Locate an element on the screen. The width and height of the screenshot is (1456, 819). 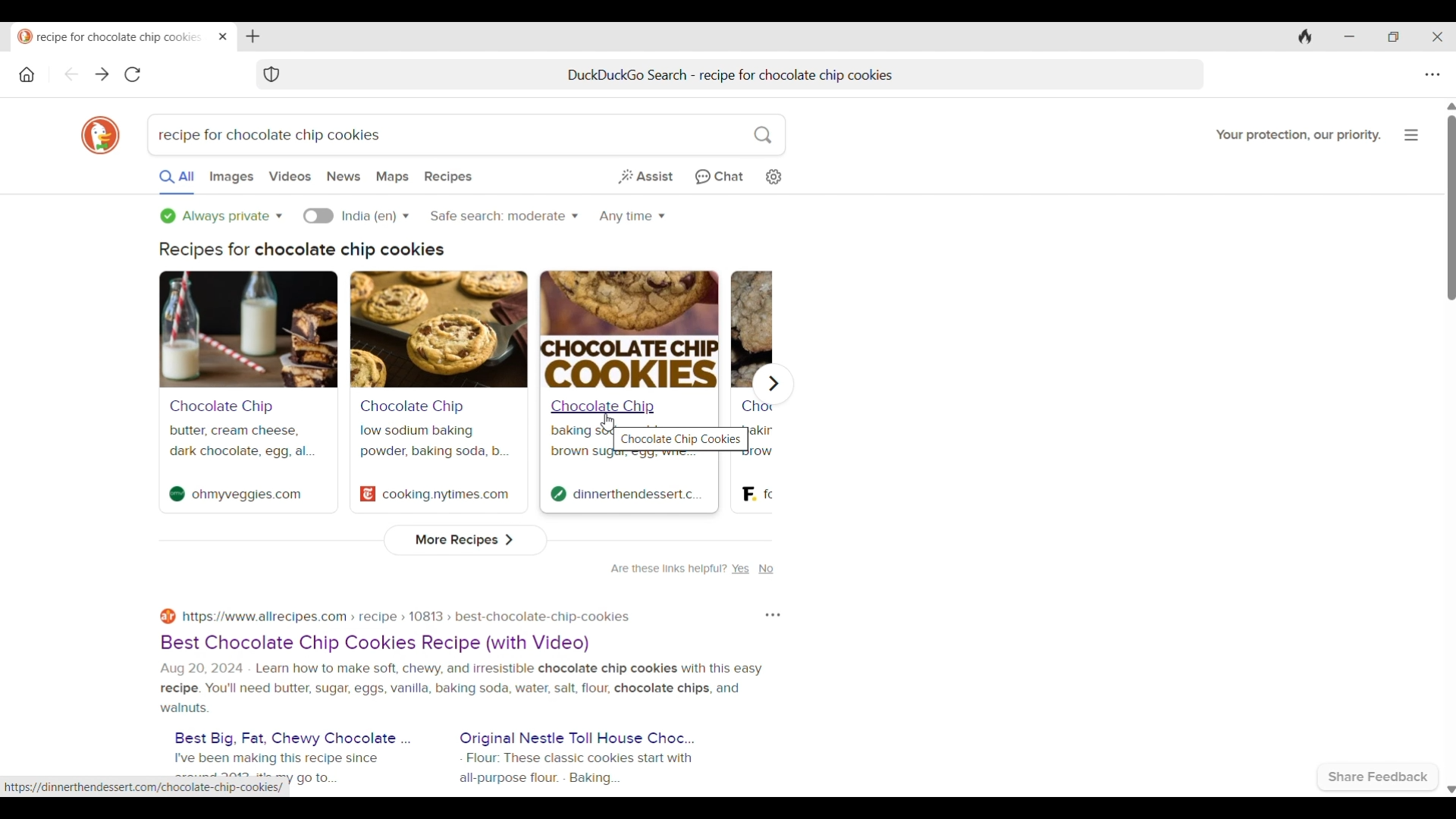
Search result banner is located at coordinates (629, 328).